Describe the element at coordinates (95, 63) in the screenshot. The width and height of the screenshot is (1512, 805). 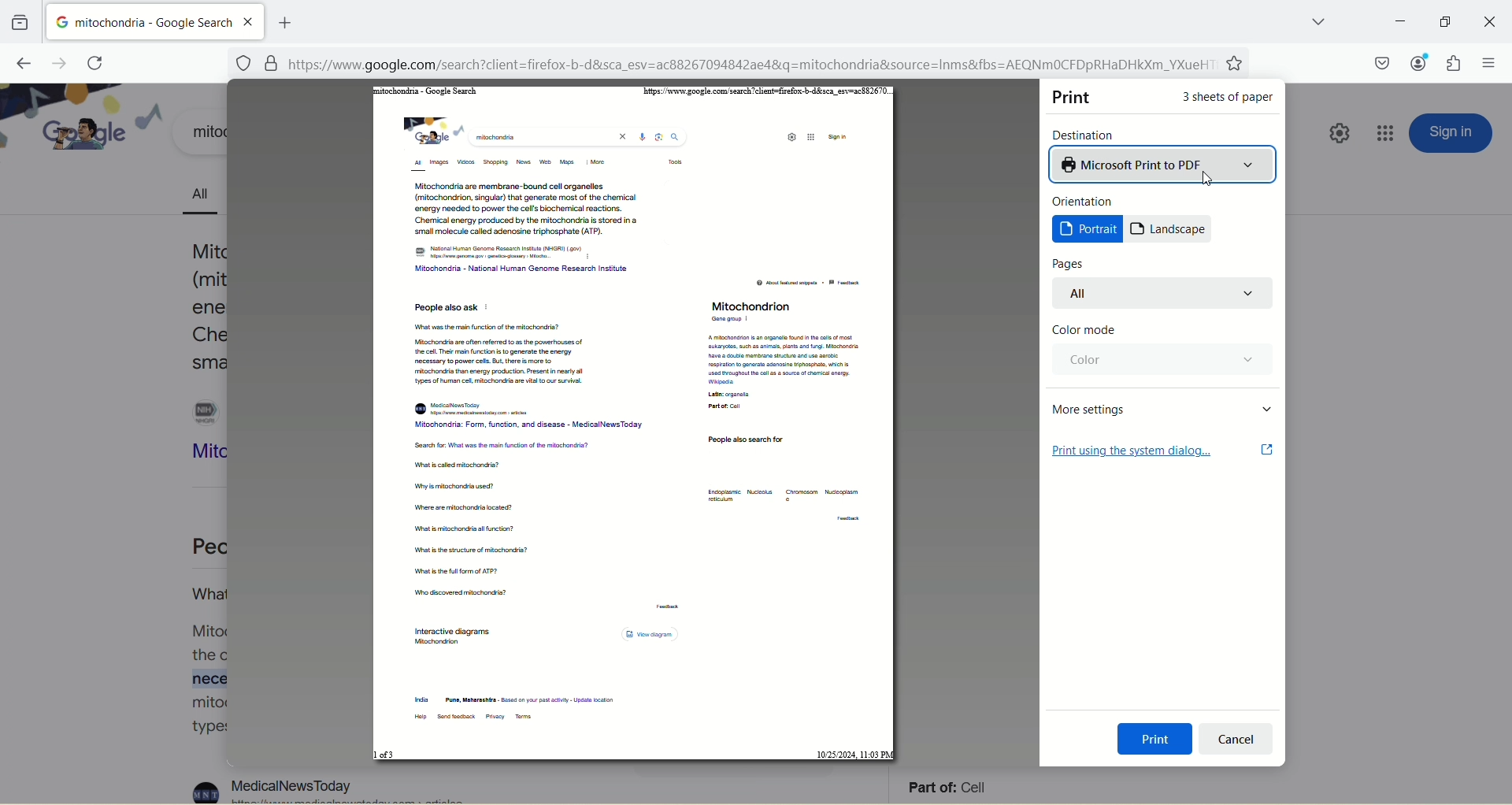
I see `reload current page` at that location.